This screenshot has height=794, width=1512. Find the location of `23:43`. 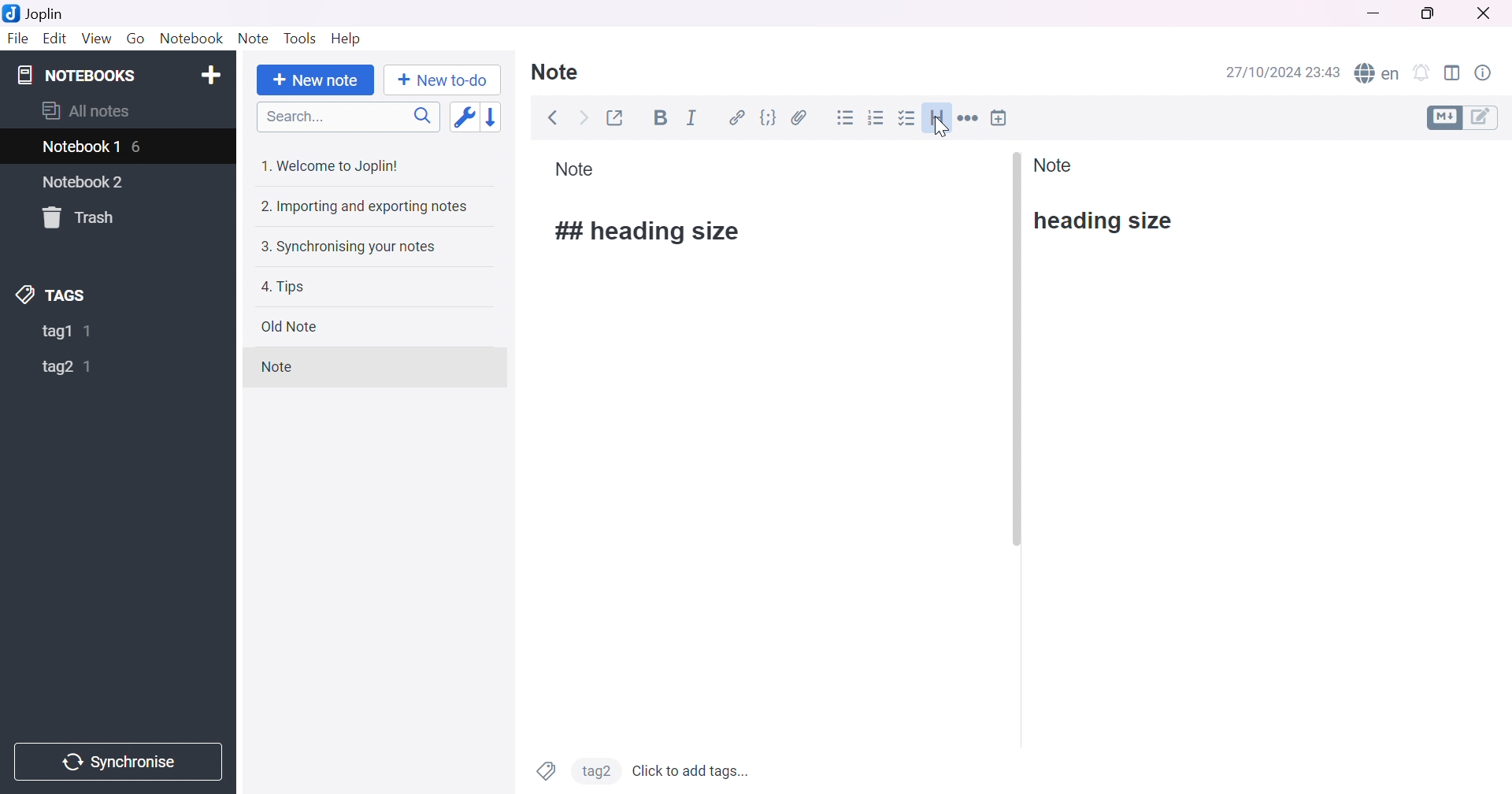

23:43 is located at coordinates (1324, 72).